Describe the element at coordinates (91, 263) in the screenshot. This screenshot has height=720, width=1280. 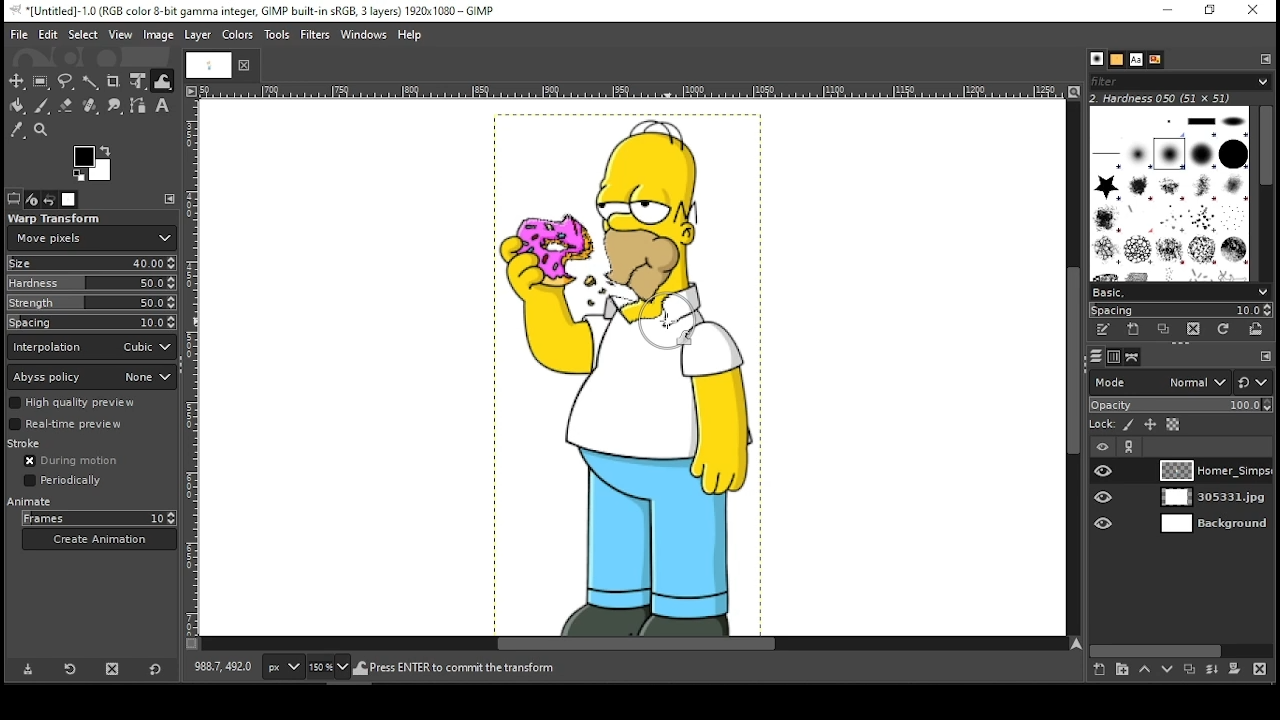
I see `size` at that location.